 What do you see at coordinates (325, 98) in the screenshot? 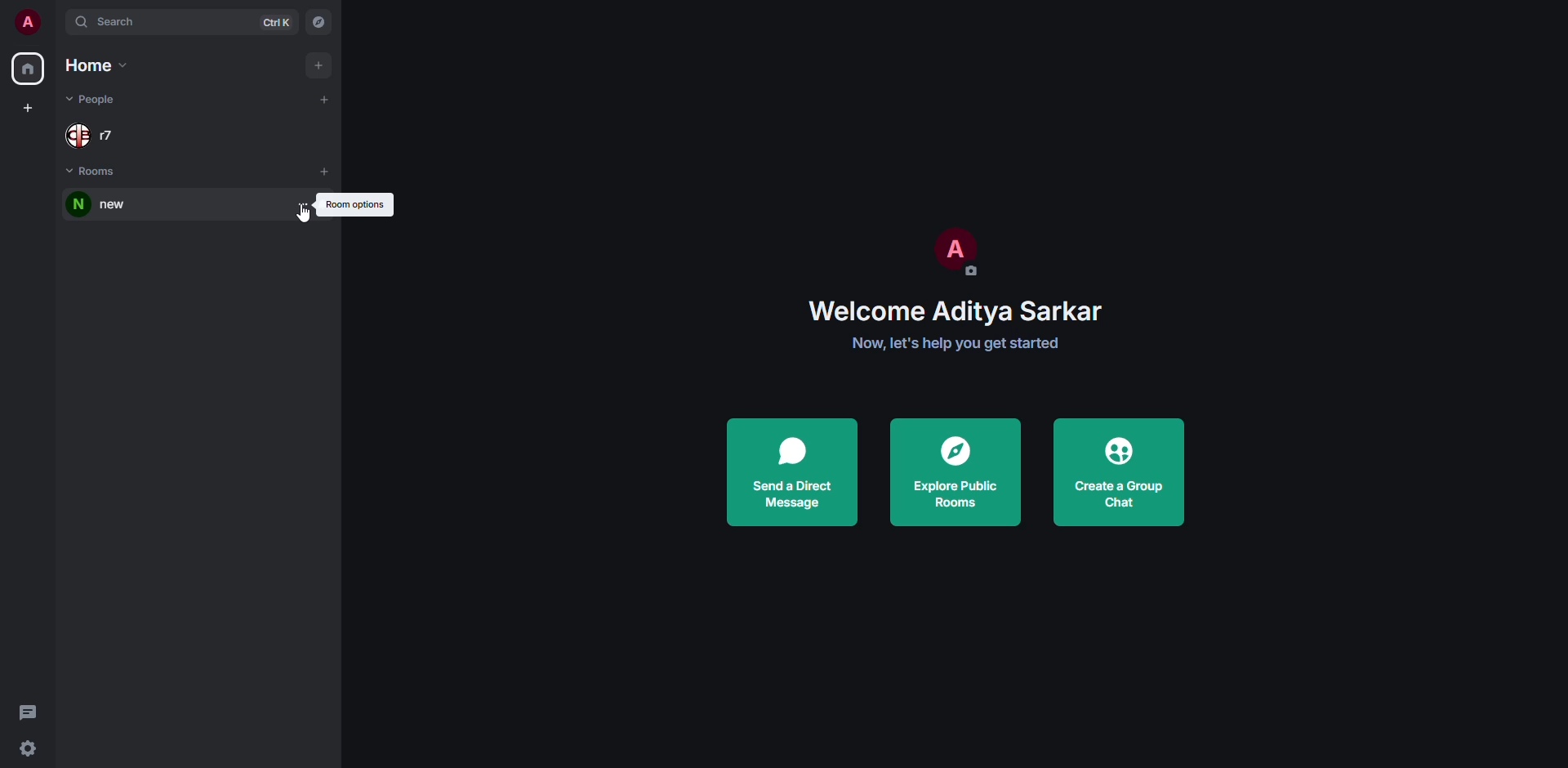
I see `add` at bounding box center [325, 98].